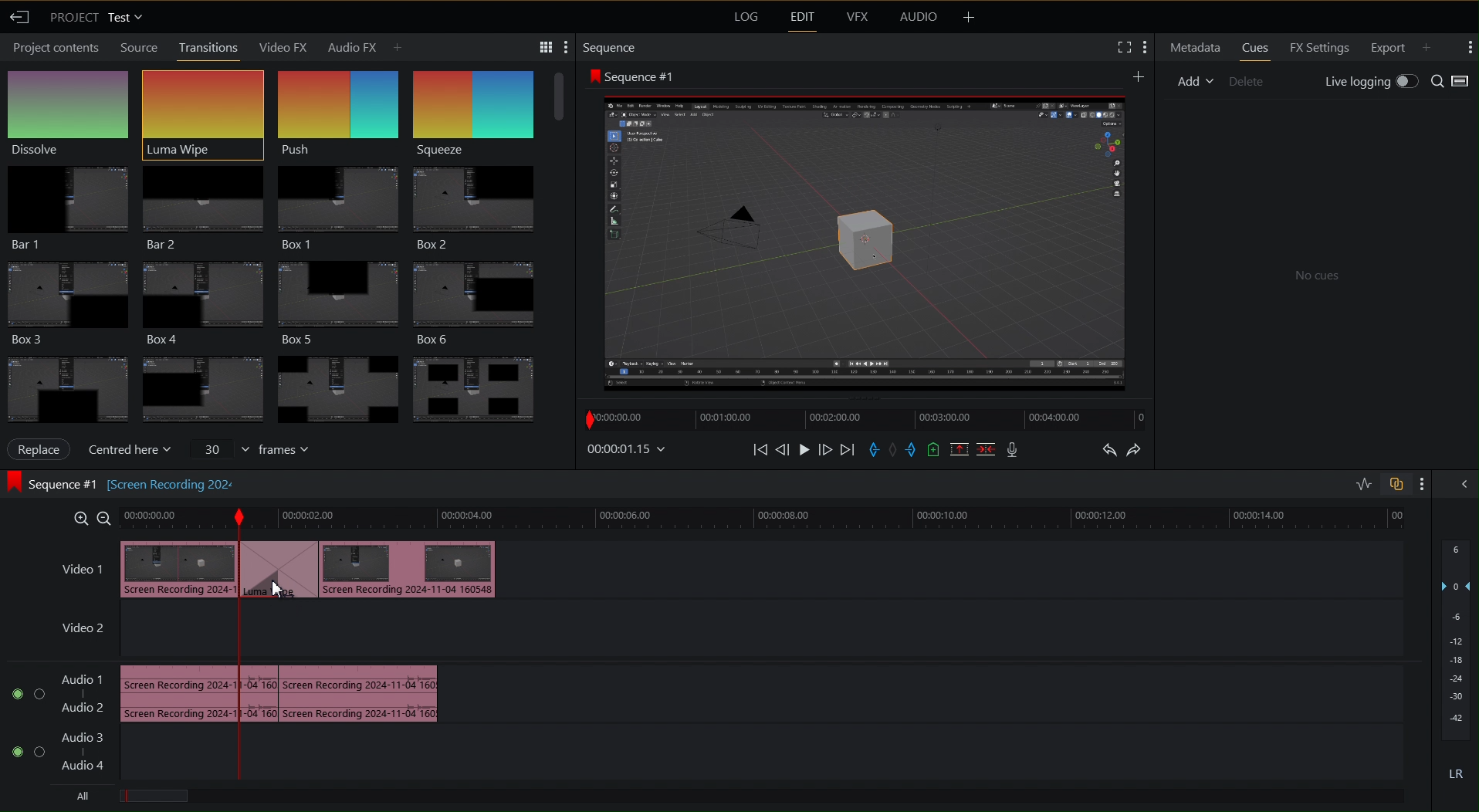 The height and width of the screenshot is (812, 1479). What do you see at coordinates (1470, 49) in the screenshot?
I see `More` at bounding box center [1470, 49].